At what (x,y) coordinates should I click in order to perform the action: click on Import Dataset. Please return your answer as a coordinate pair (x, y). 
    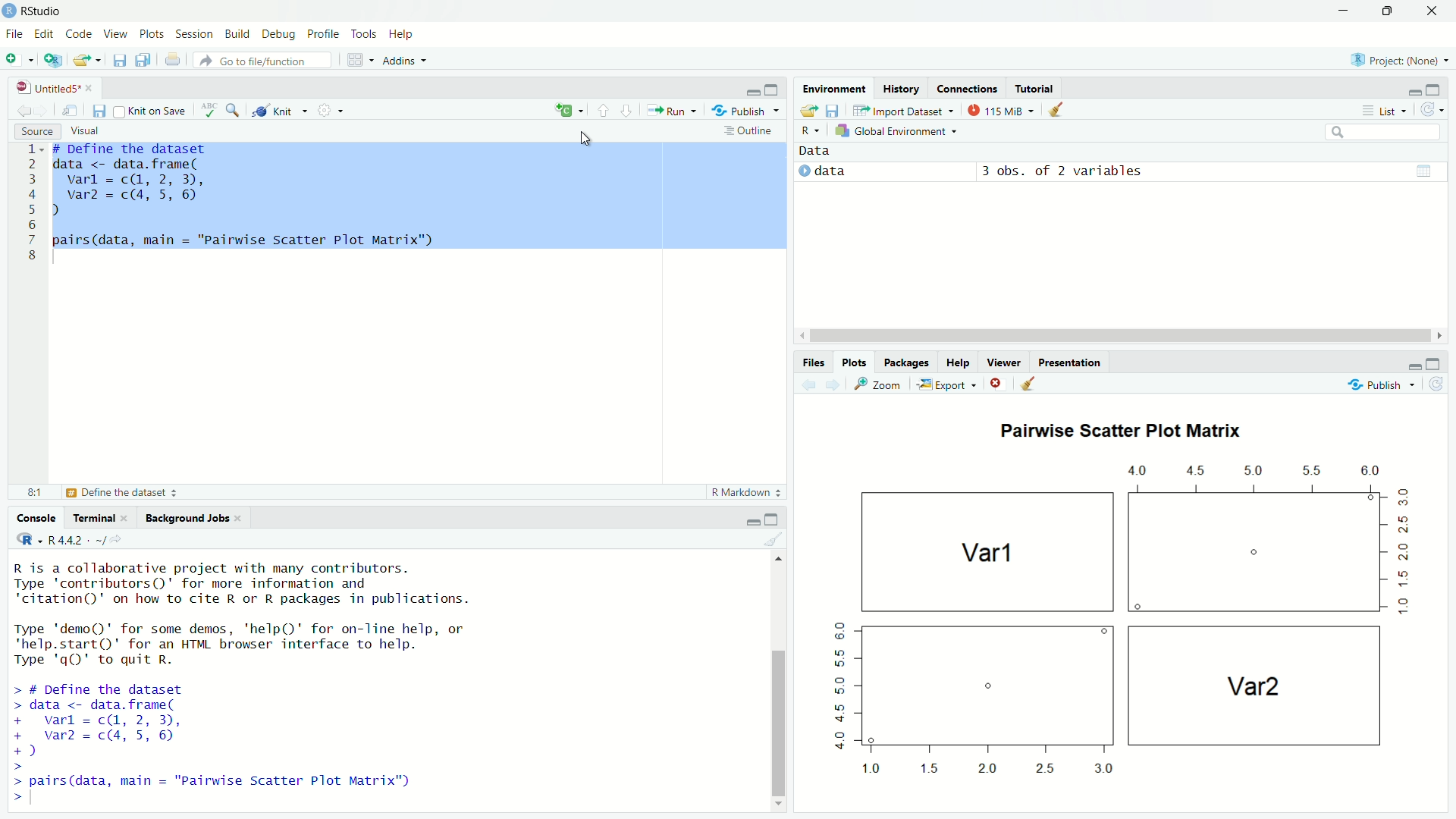
    Looking at the image, I should click on (902, 109).